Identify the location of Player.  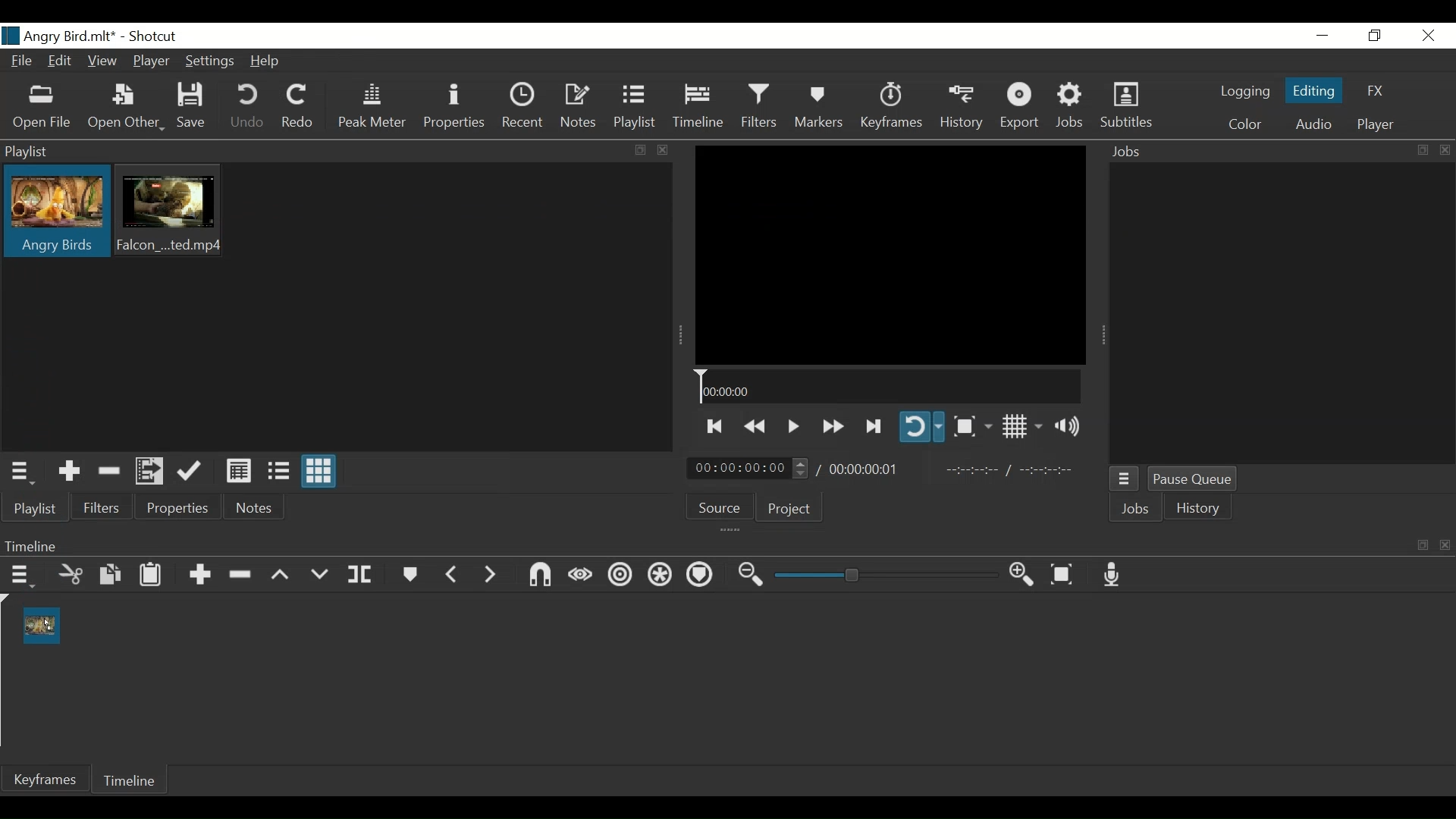
(152, 63).